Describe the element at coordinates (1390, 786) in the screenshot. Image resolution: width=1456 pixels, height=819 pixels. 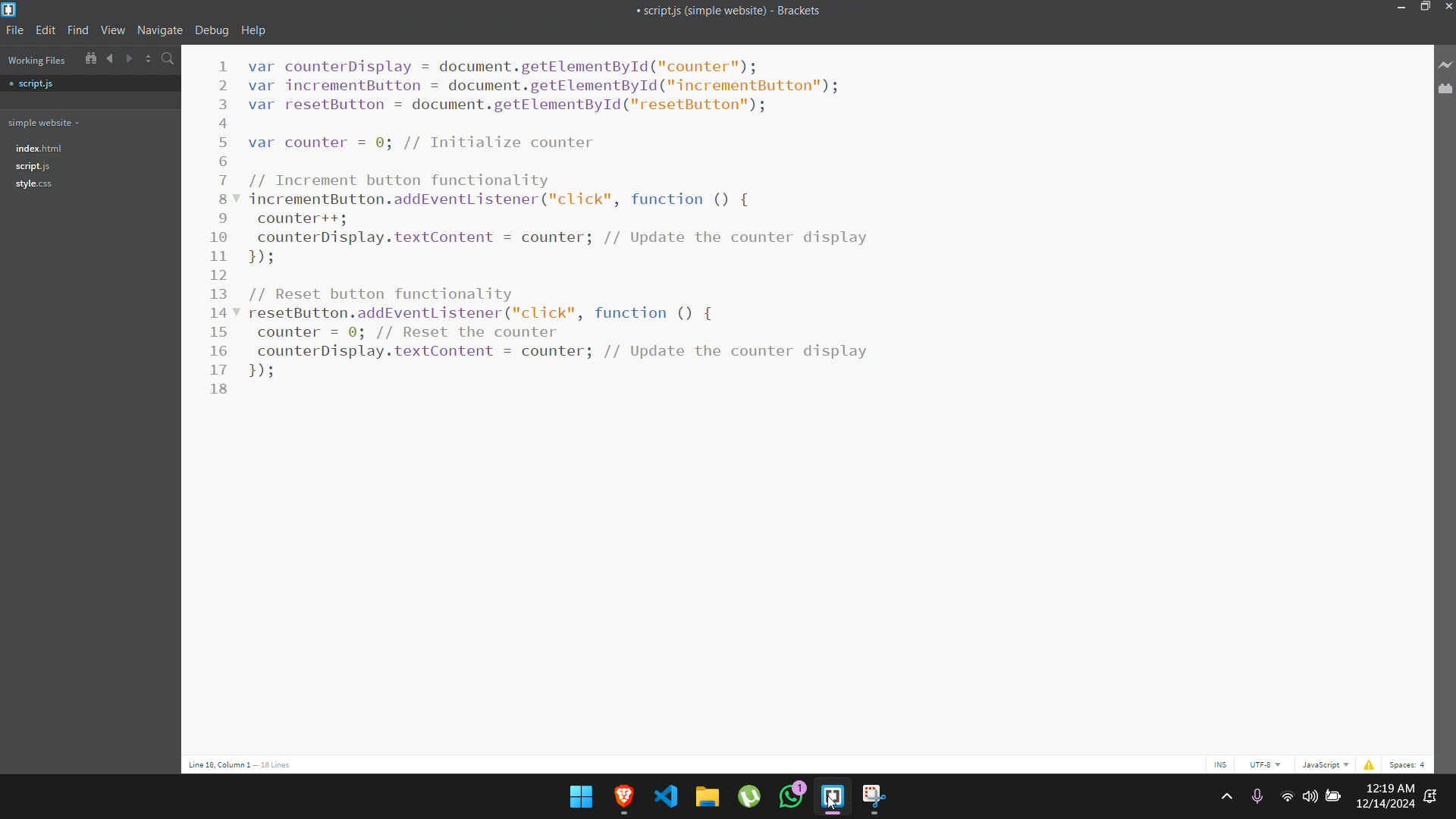
I see `12:19AM` at that location.